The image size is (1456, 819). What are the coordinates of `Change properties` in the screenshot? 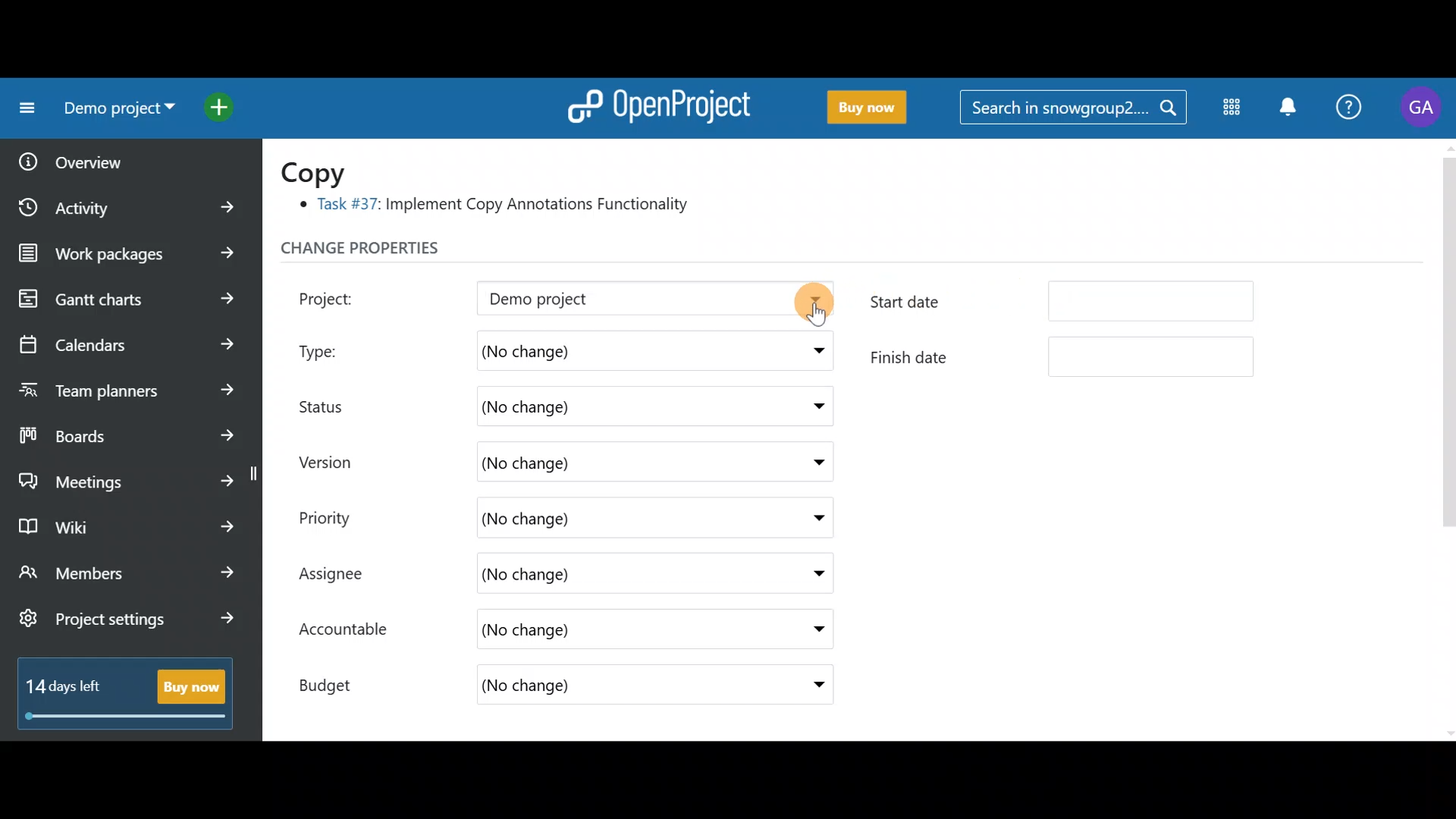 It's located at (391, 252).